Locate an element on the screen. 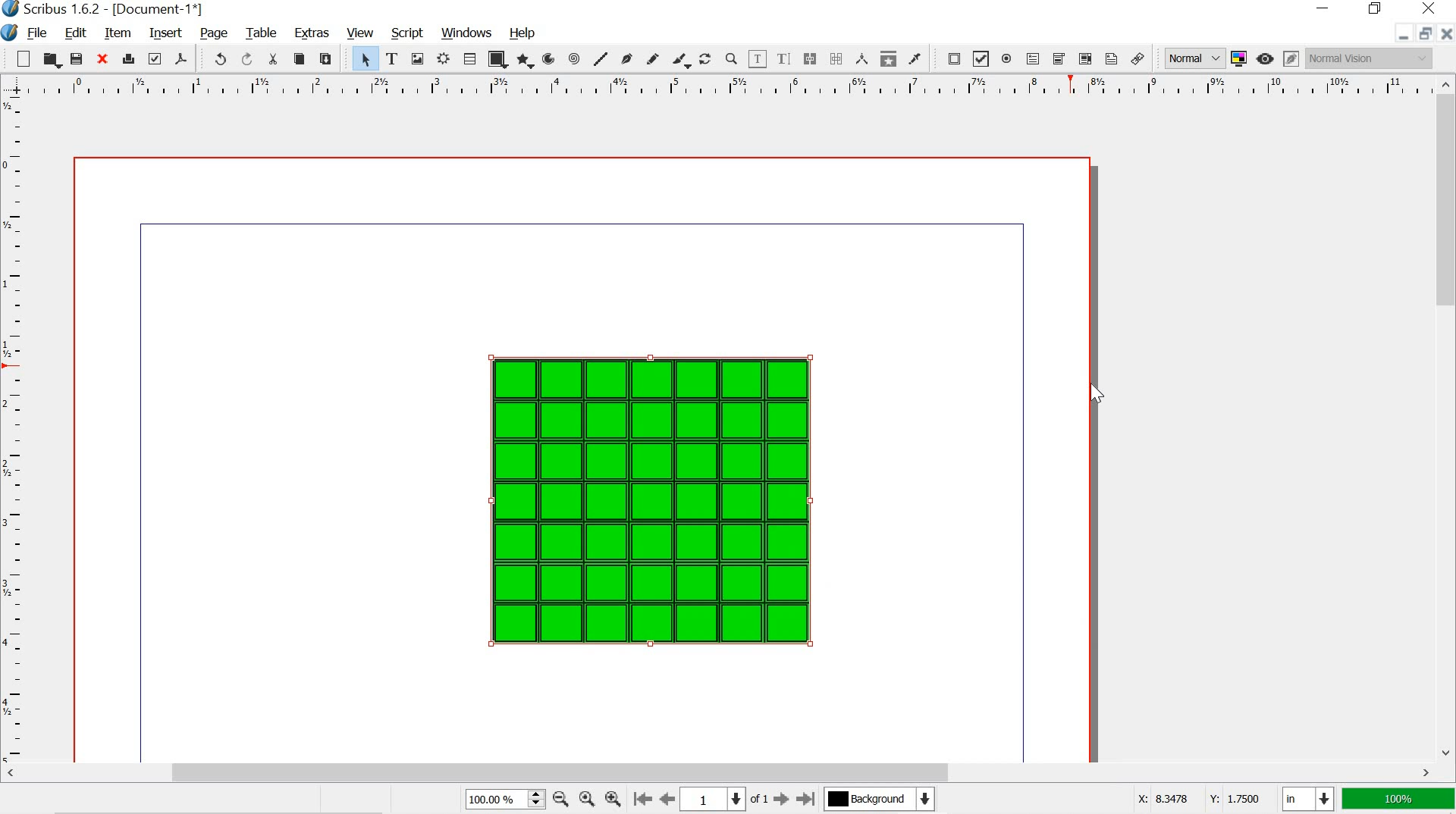  edit in preview mode is located at coordinates (1291, 57).